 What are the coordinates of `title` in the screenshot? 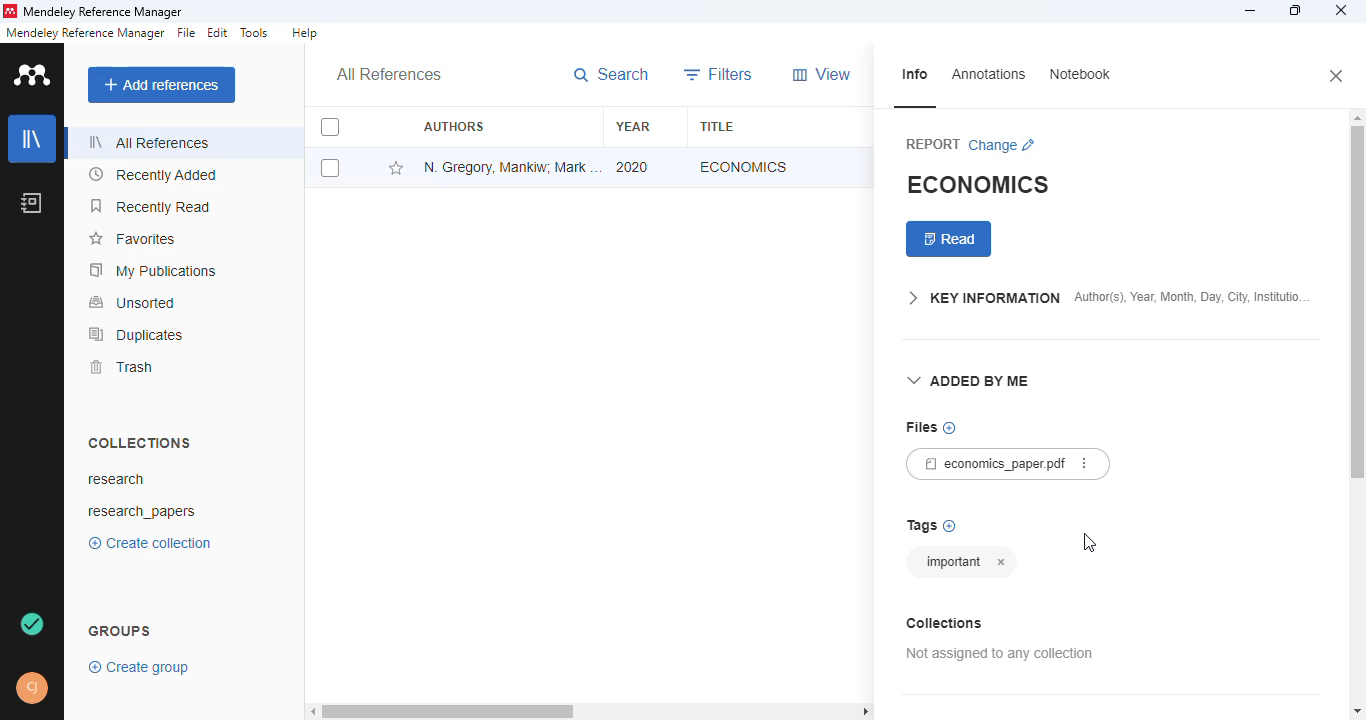 It's located at (716, 127).